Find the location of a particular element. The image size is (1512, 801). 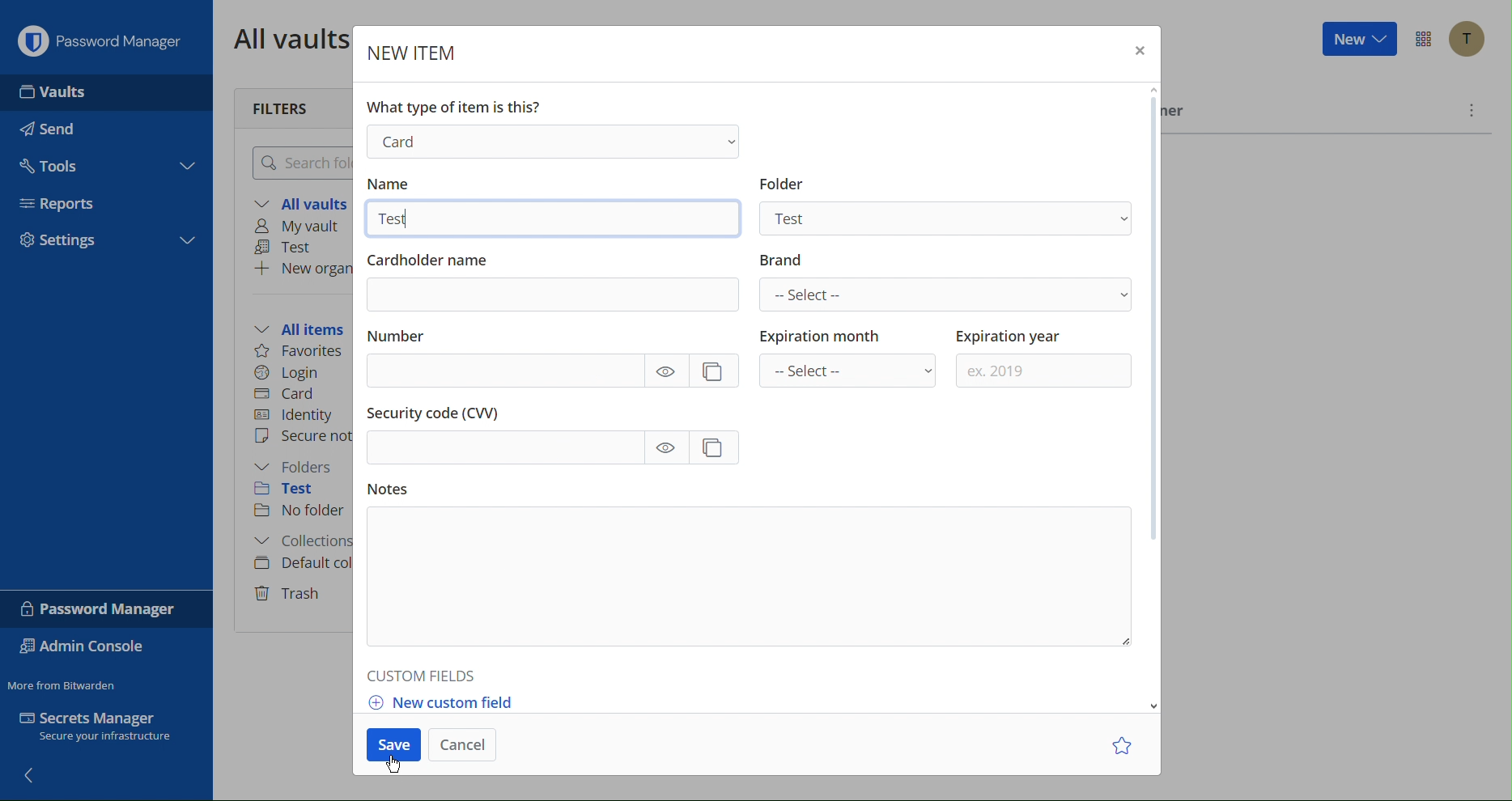

Admin Console is located at coordinates (82, 648).